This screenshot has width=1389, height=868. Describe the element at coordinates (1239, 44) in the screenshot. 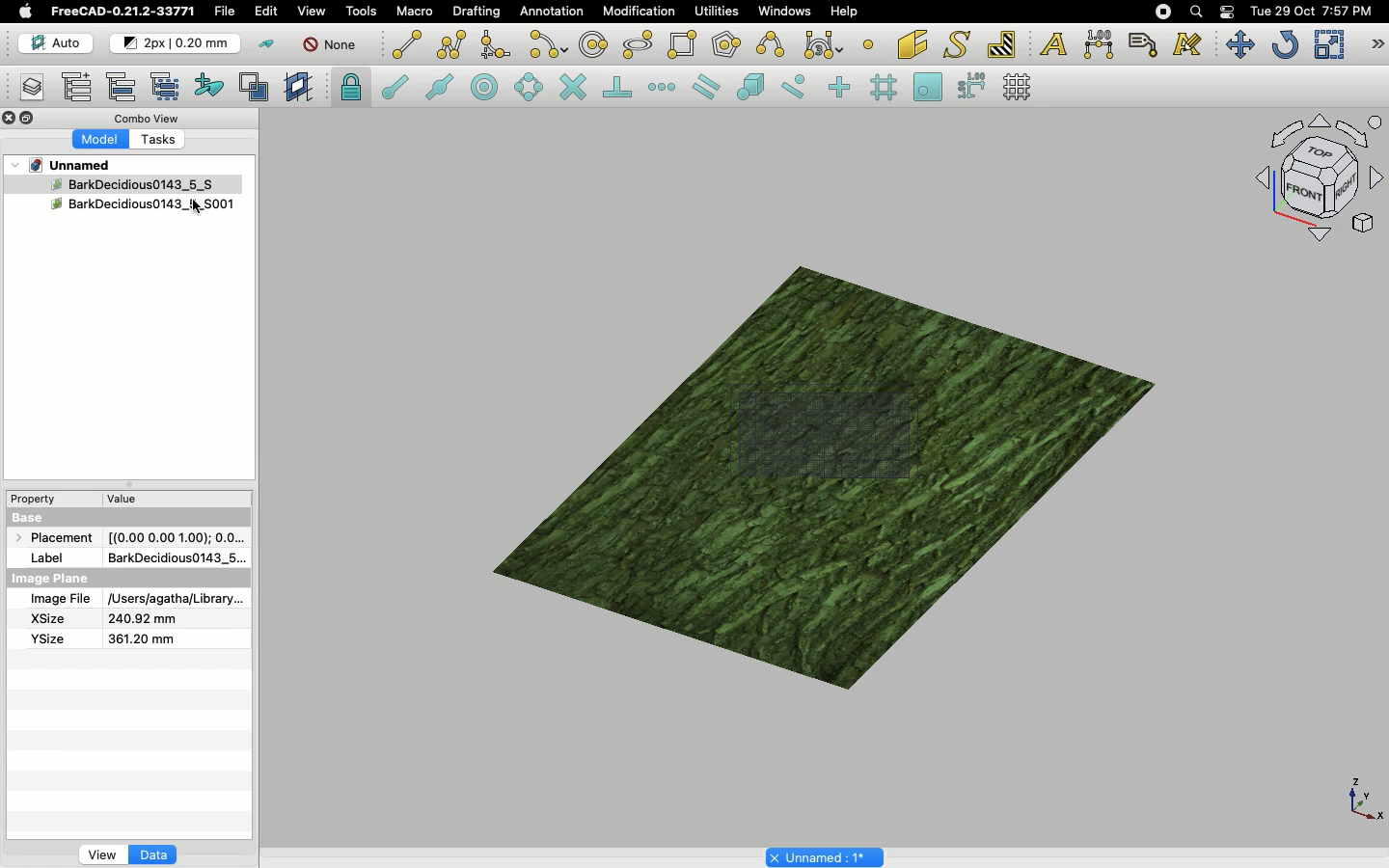

I see `Move` at that location.